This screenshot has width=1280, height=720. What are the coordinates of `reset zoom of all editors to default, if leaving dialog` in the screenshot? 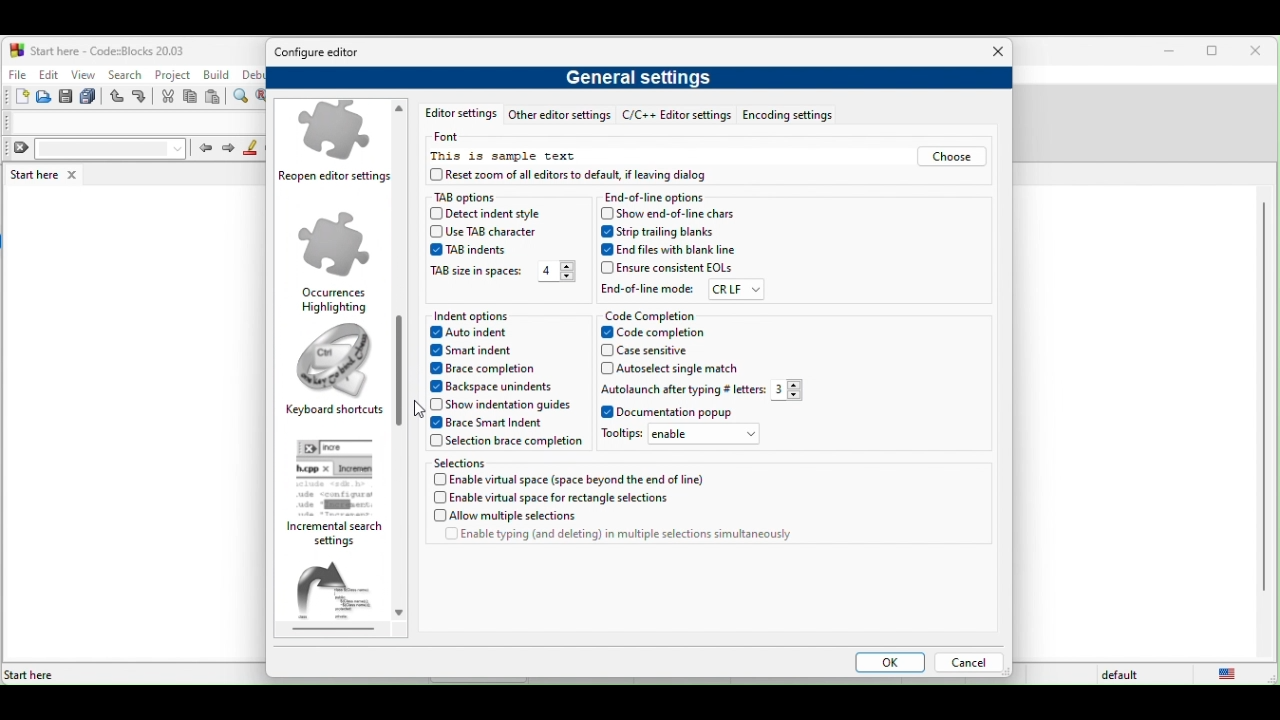 It's located at (589, 177).